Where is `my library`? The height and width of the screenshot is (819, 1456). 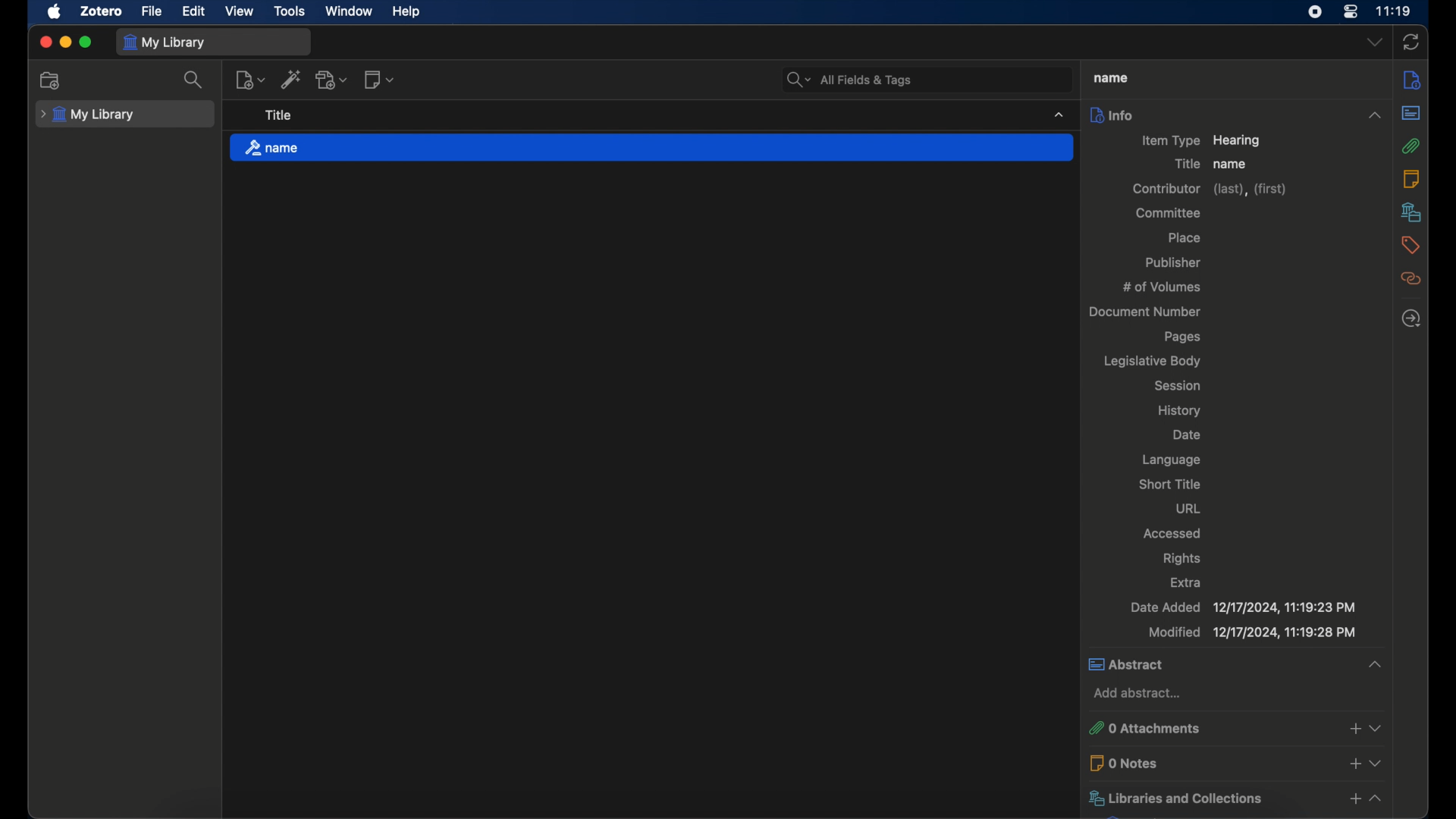
my library is located at coordinates (87, 115).